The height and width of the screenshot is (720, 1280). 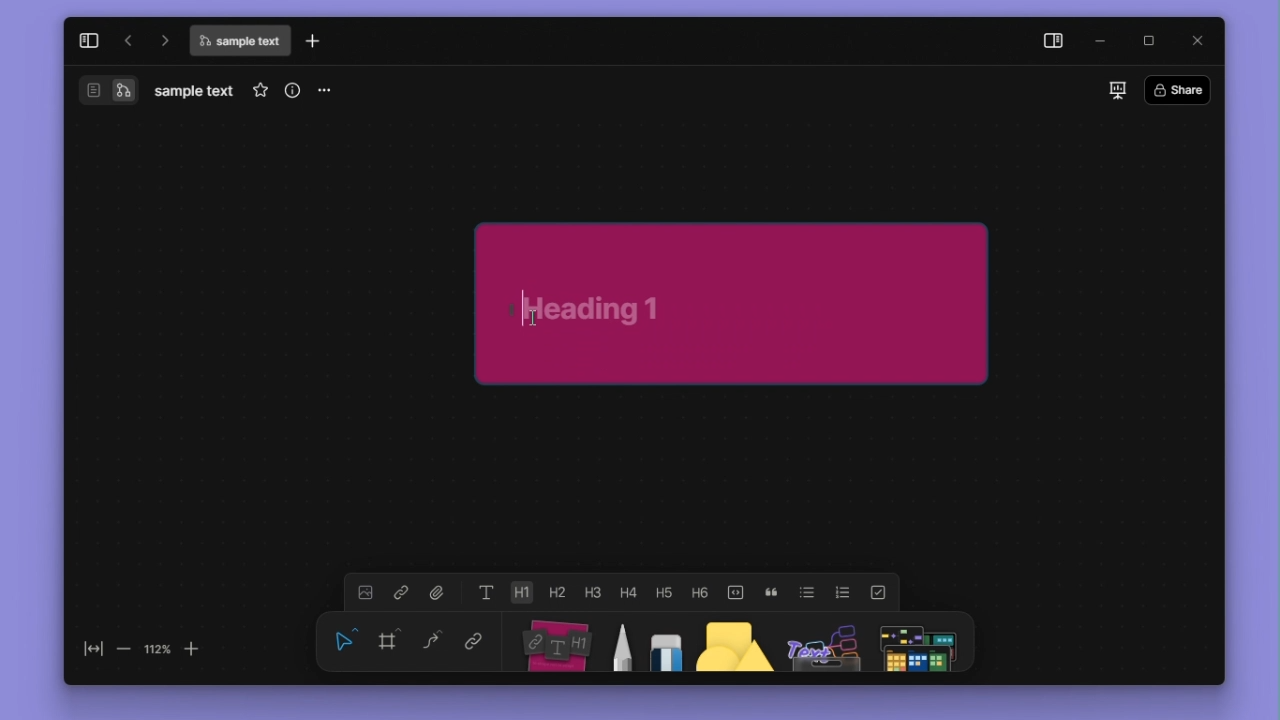 What do you see at coordinates (735, 593) in the screenshot?
I see `code block` at bounding box center [735, 593].